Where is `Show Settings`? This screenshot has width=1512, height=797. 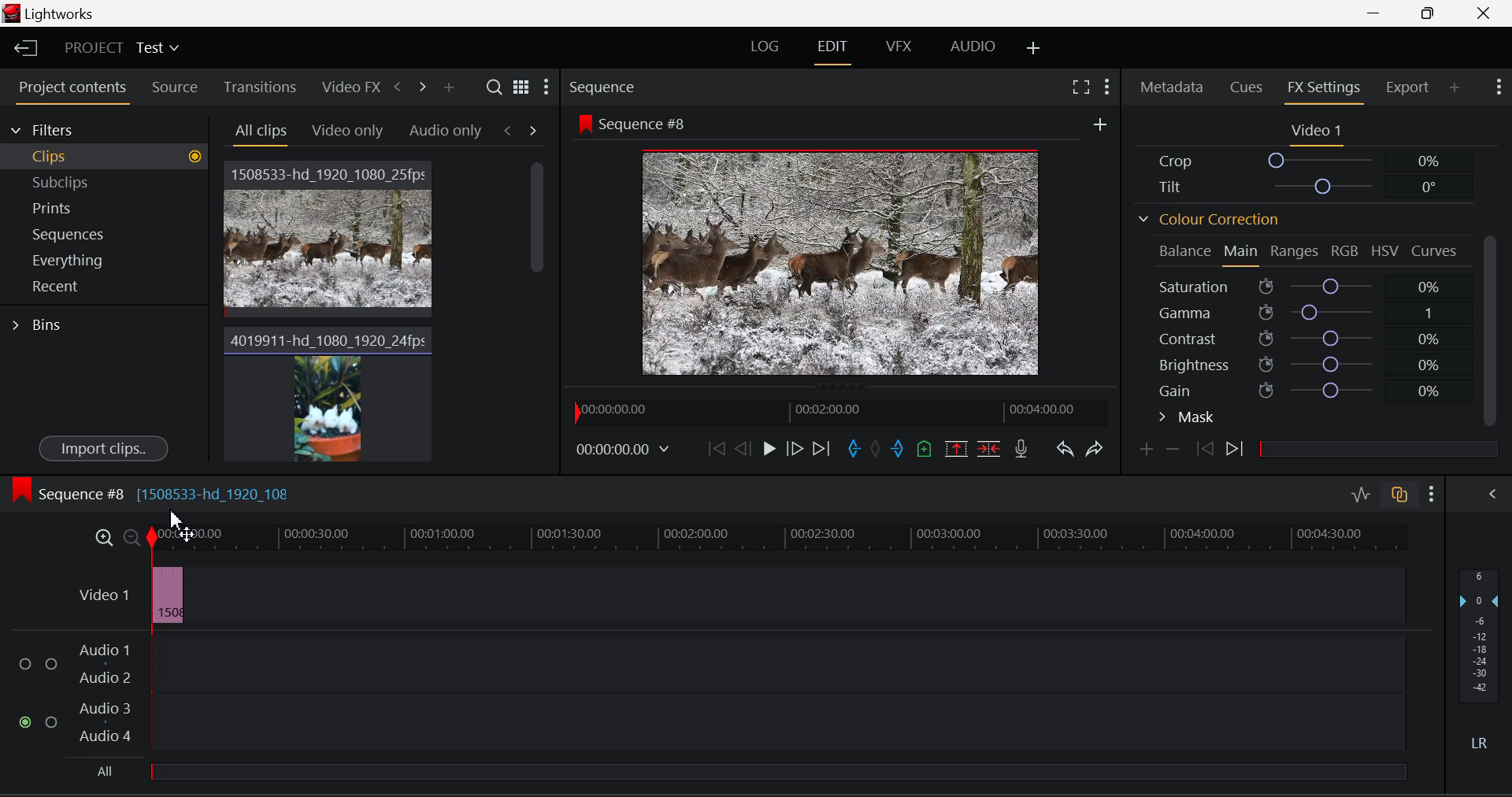 Show Settings is located at coordinates (1429, 493).